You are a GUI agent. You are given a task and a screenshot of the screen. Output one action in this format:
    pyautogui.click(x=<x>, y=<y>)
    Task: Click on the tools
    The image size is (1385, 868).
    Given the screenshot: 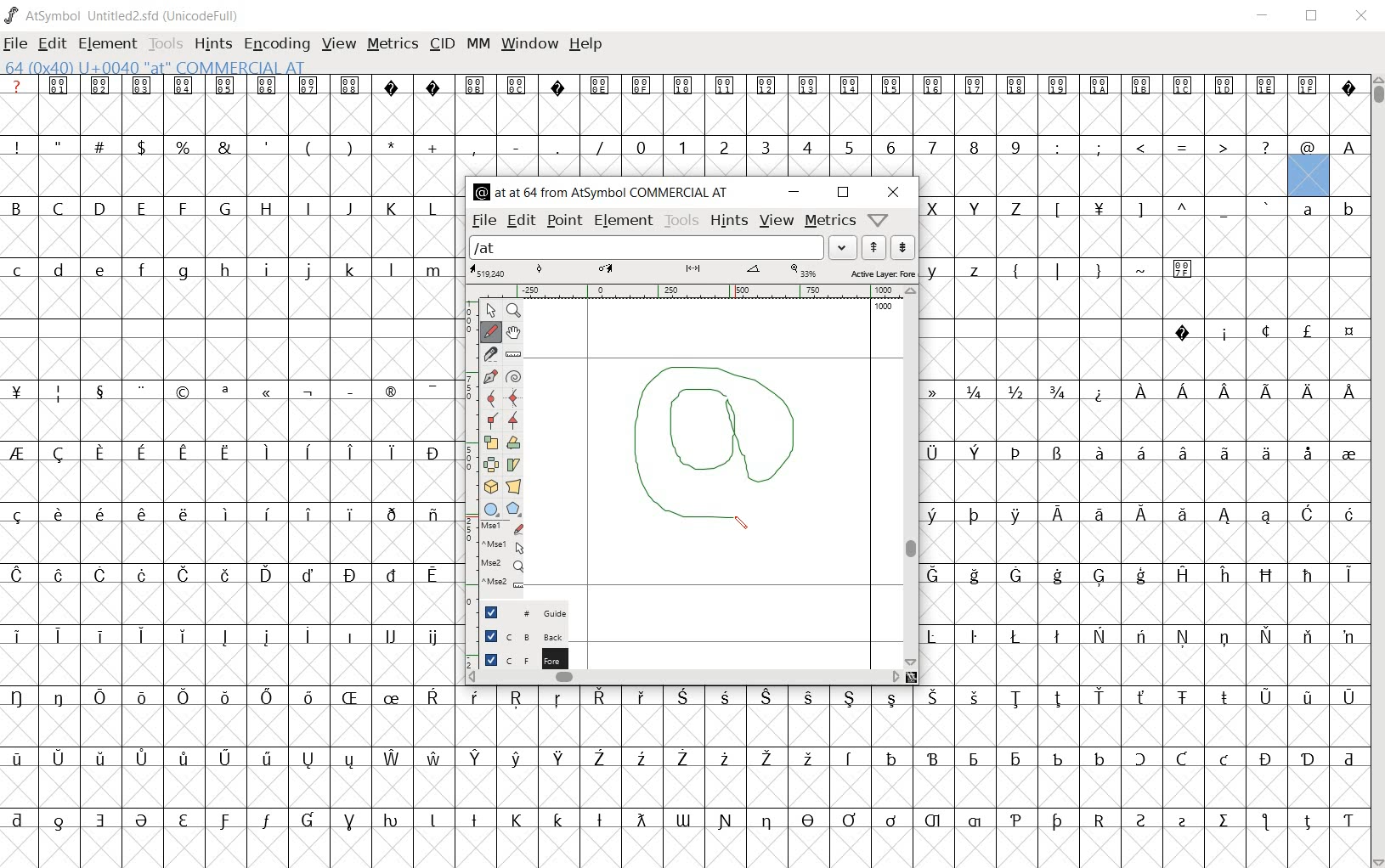 What is the action you would take?
    pyautogui.click(x=681, y=221)
    